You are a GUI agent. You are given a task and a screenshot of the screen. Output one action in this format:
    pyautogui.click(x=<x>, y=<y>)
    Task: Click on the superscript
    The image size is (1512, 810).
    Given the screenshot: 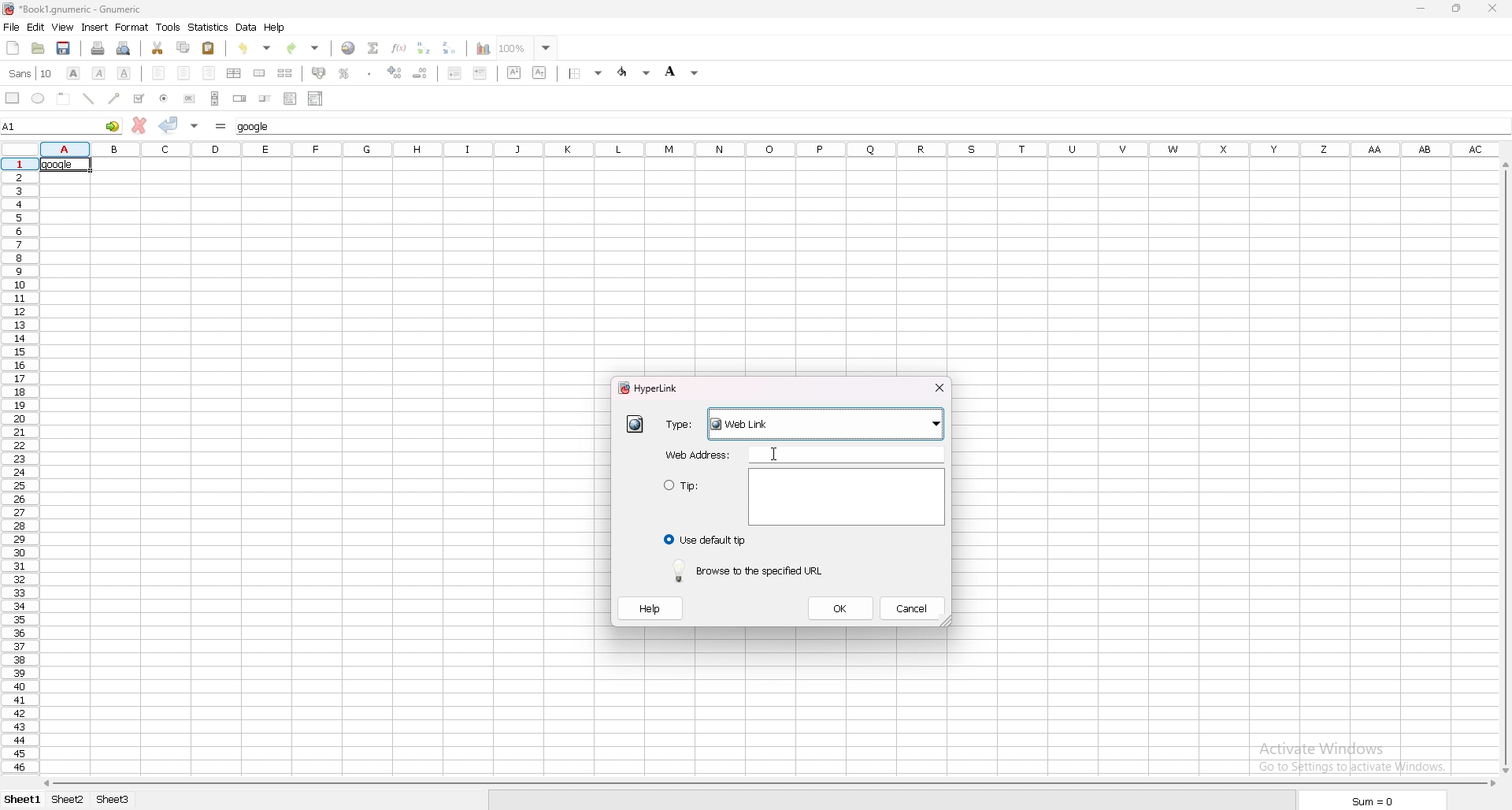 What is the action you would take?
    pyautogui.click(x=515, y=72)
    